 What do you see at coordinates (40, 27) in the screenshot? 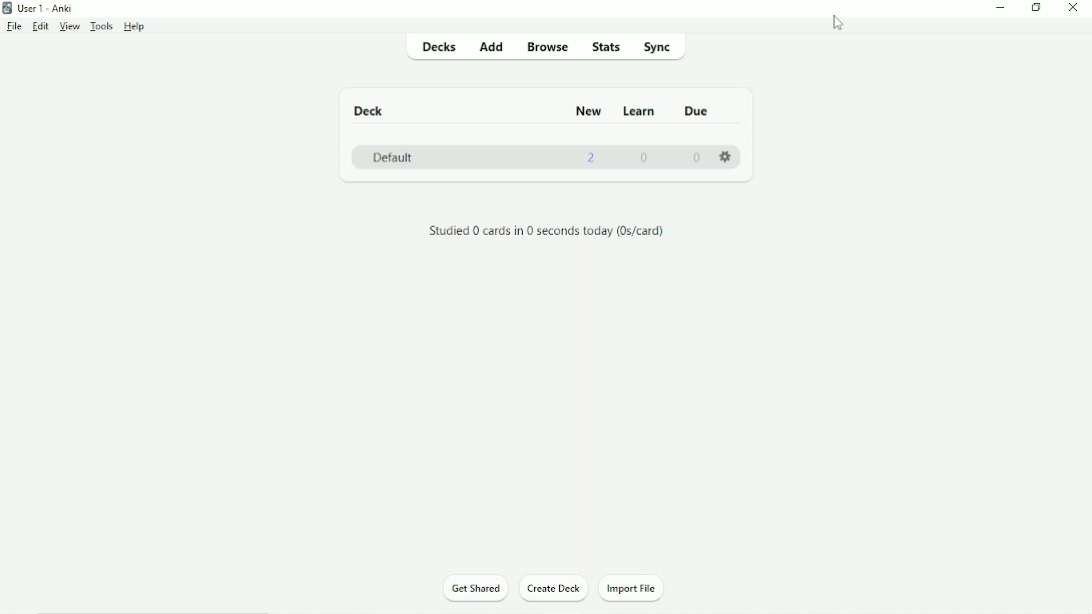
I see `Edit` at bounding box center [40, 27].